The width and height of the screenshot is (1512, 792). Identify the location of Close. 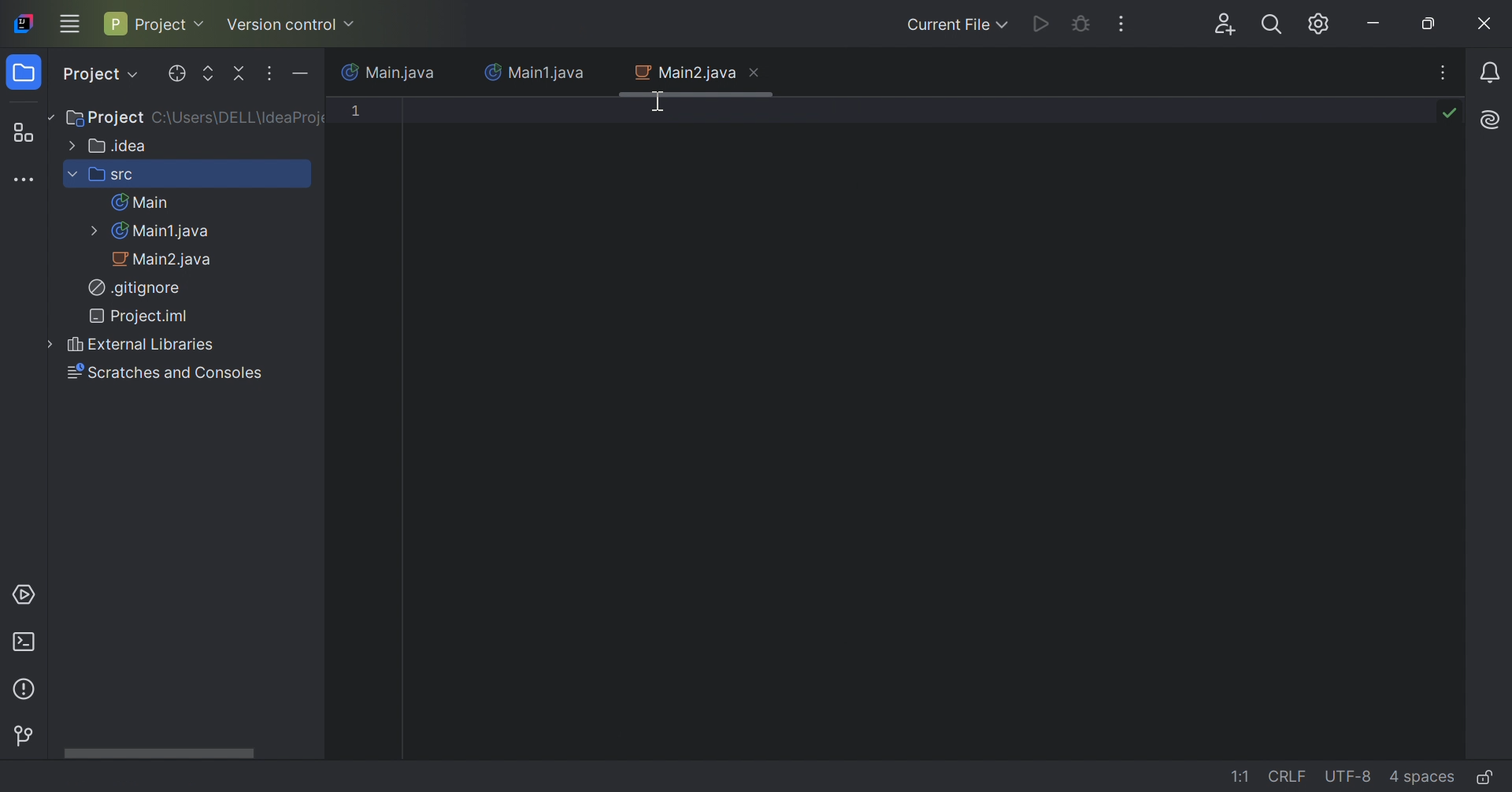
(755, 73).